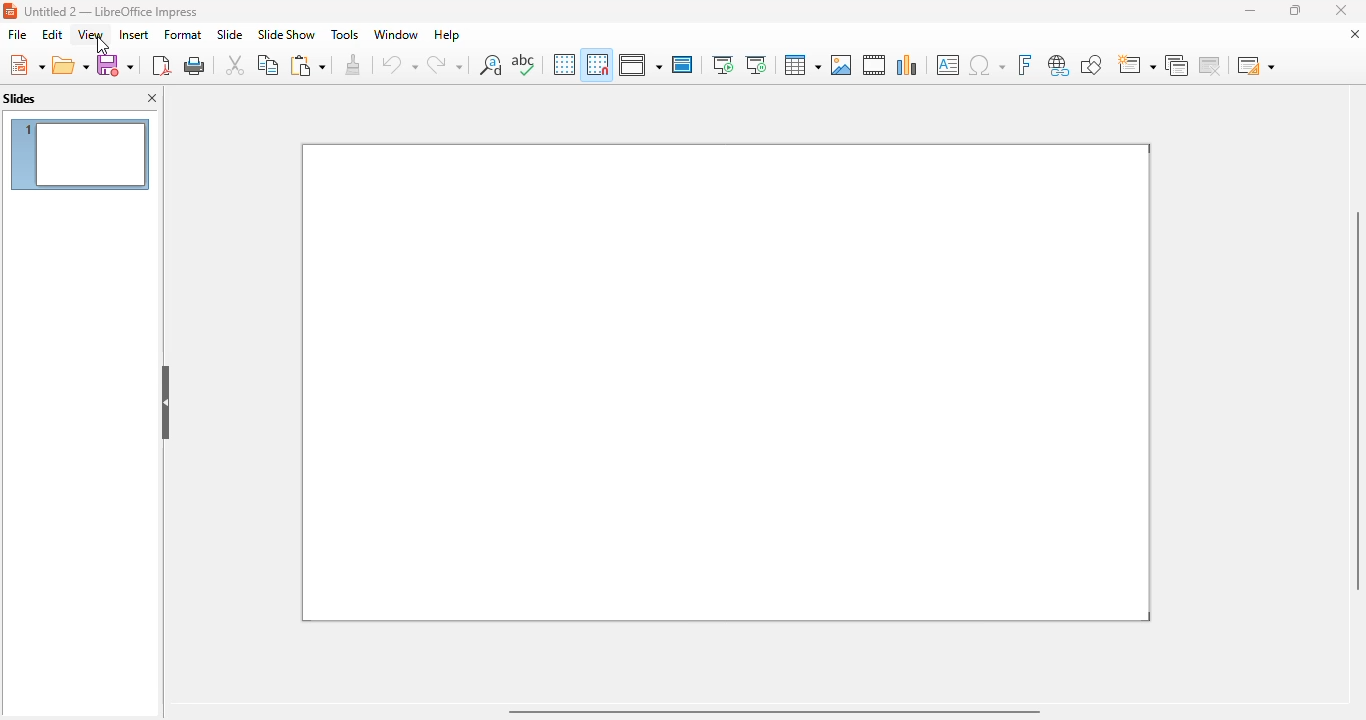  Describe the element at coordinates (162, 65) in the screenshot. I see `export directly as PDF` at that location.